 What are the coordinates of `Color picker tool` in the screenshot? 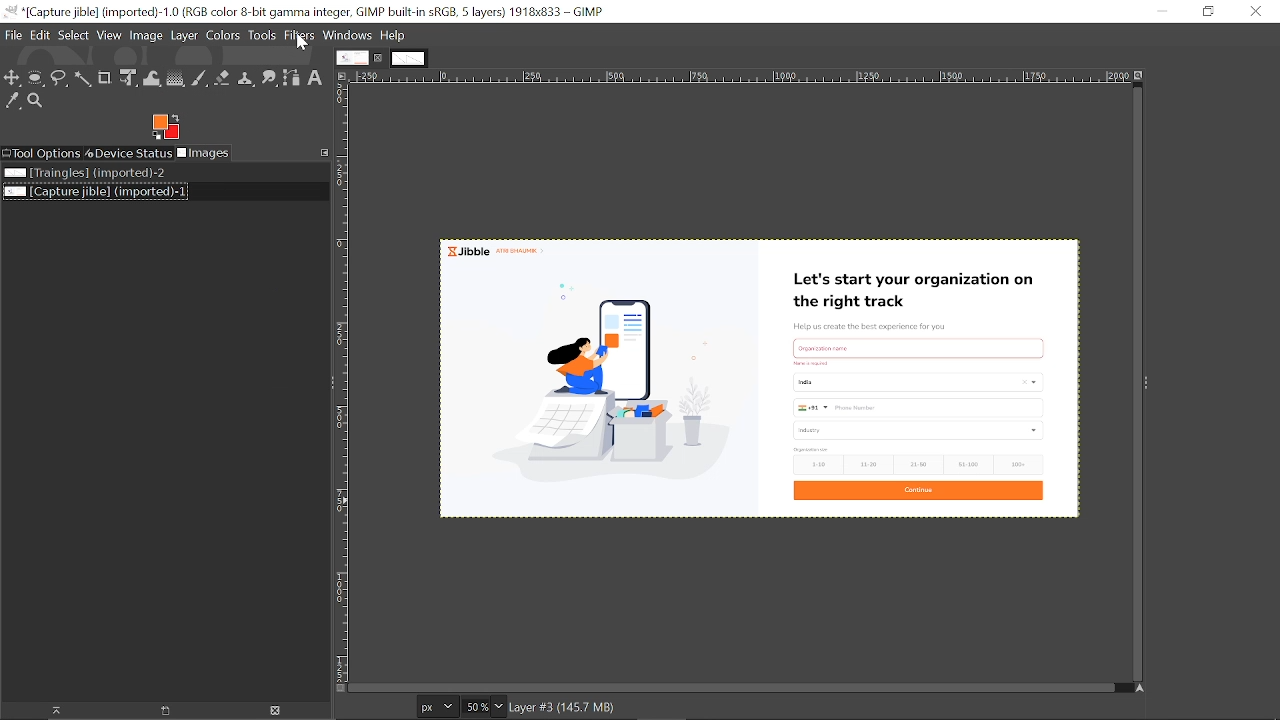 It's located at (13, 102).